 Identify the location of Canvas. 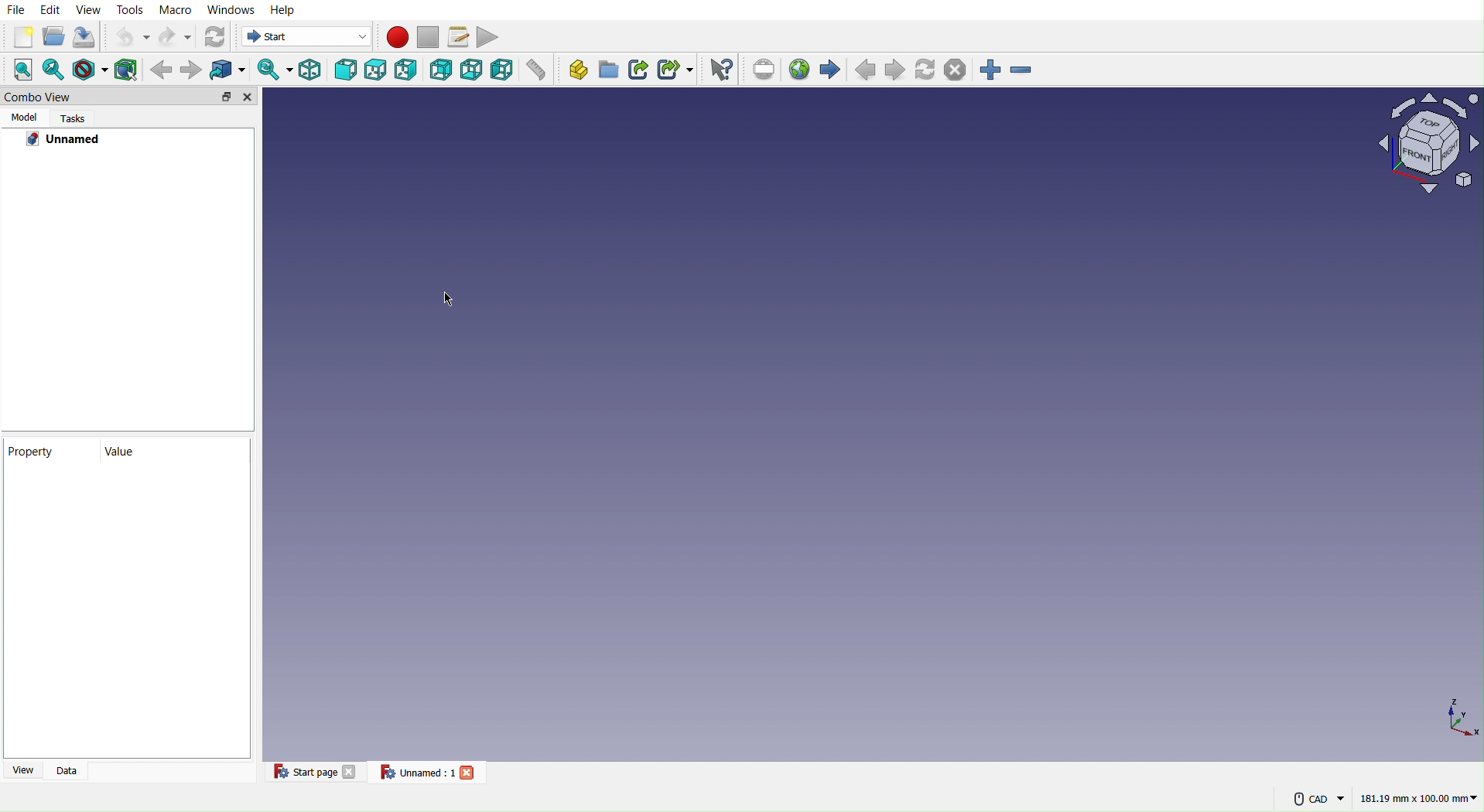
(808, 425).